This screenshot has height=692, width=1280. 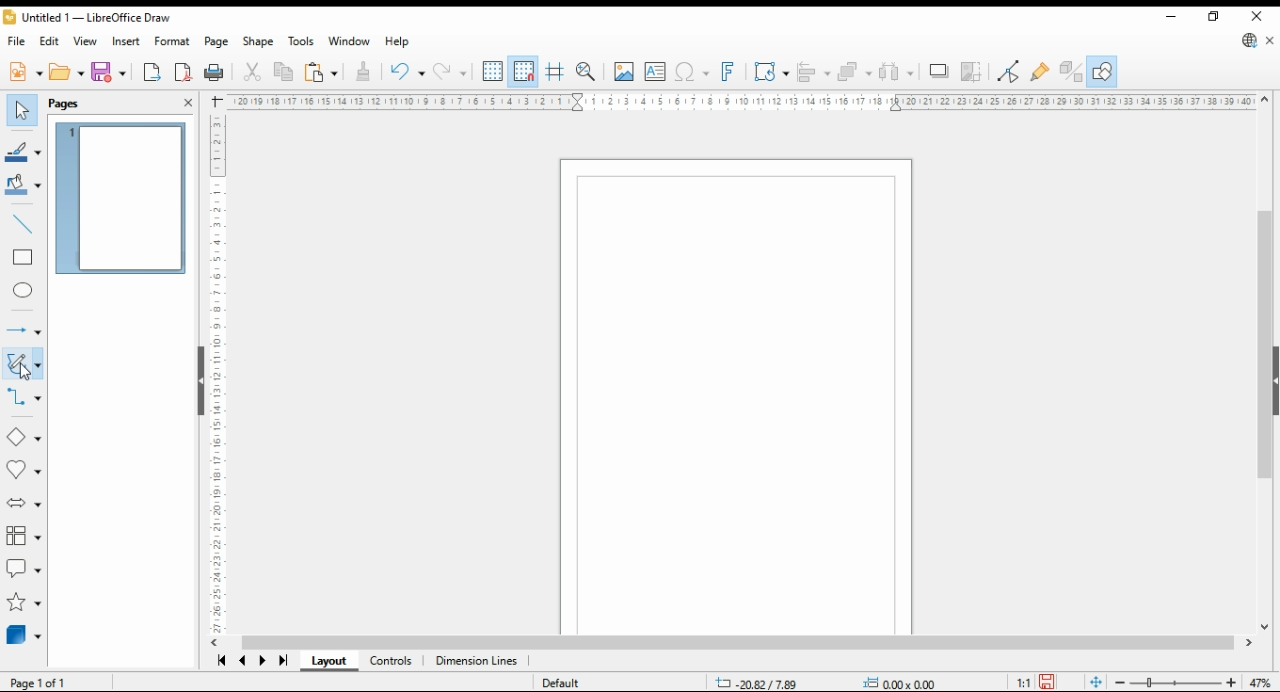 What do you see at coordinates (770, 72) in the screenshot?
I see `transformations` at bounding box center [770, 72].